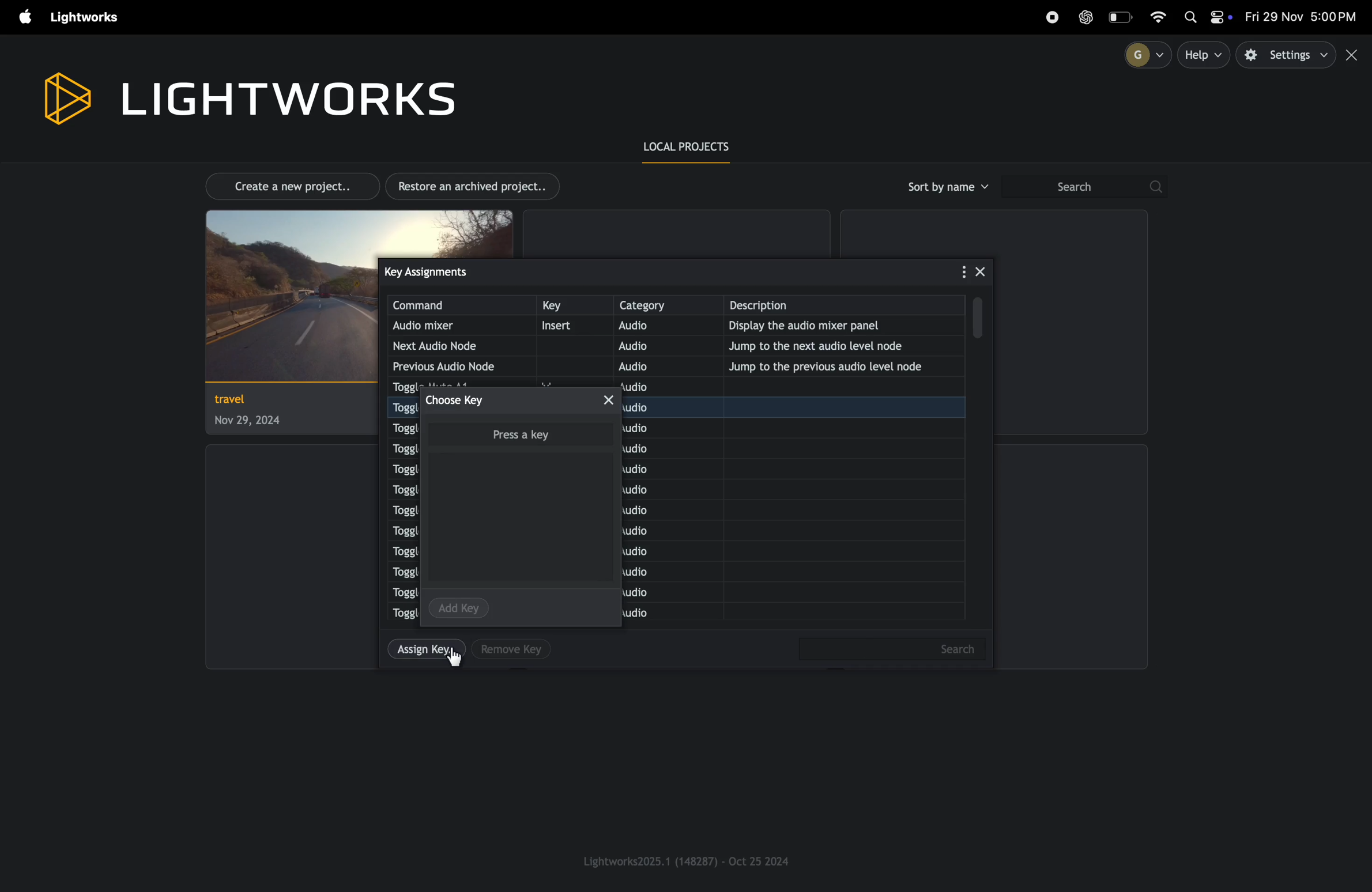  Describe the element at coordinates (450, 271) in the screenshot. I see `key assignments` at that location.